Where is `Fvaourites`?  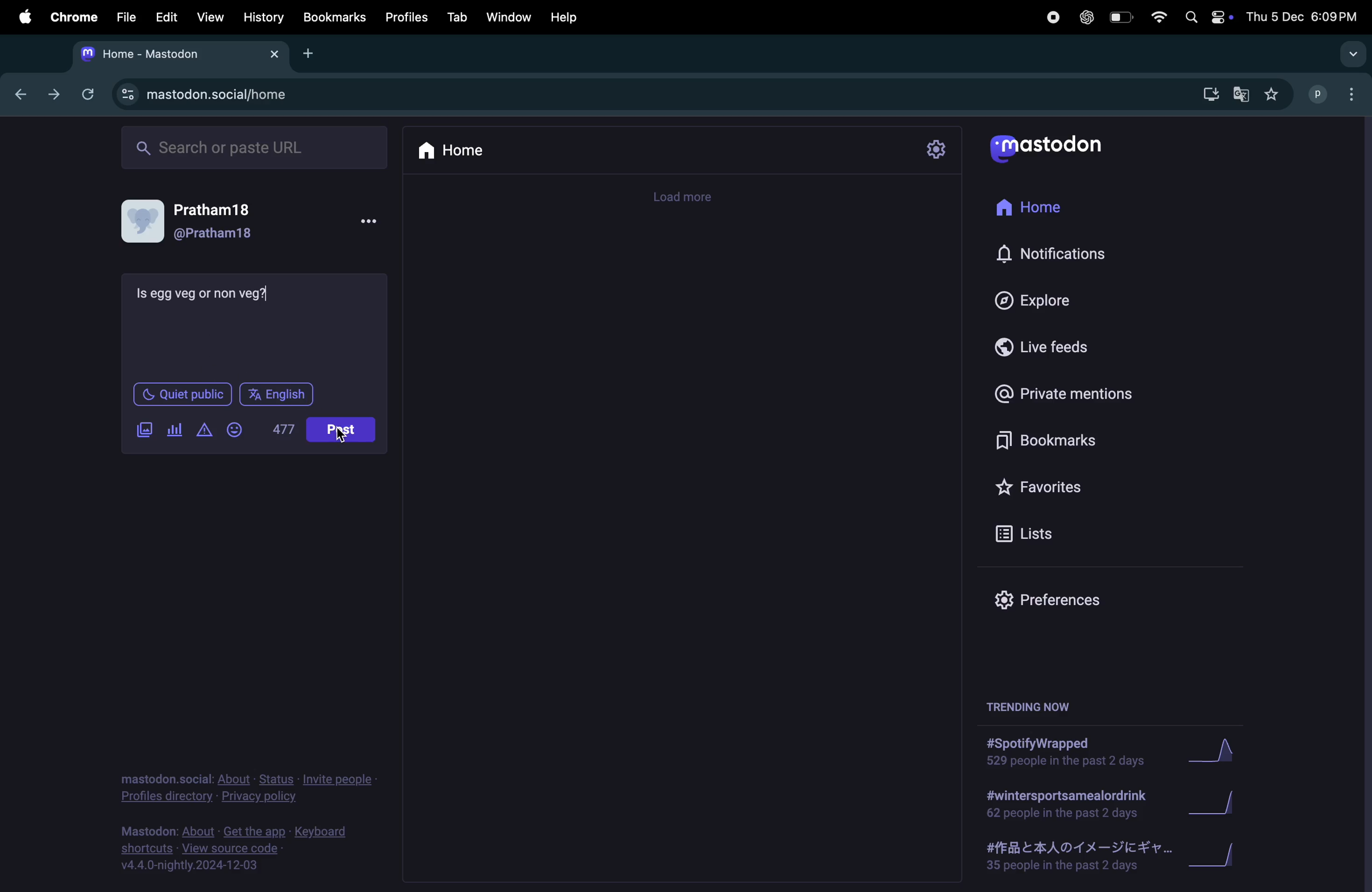
Fvaourites is located at coordinates (1057, 487).